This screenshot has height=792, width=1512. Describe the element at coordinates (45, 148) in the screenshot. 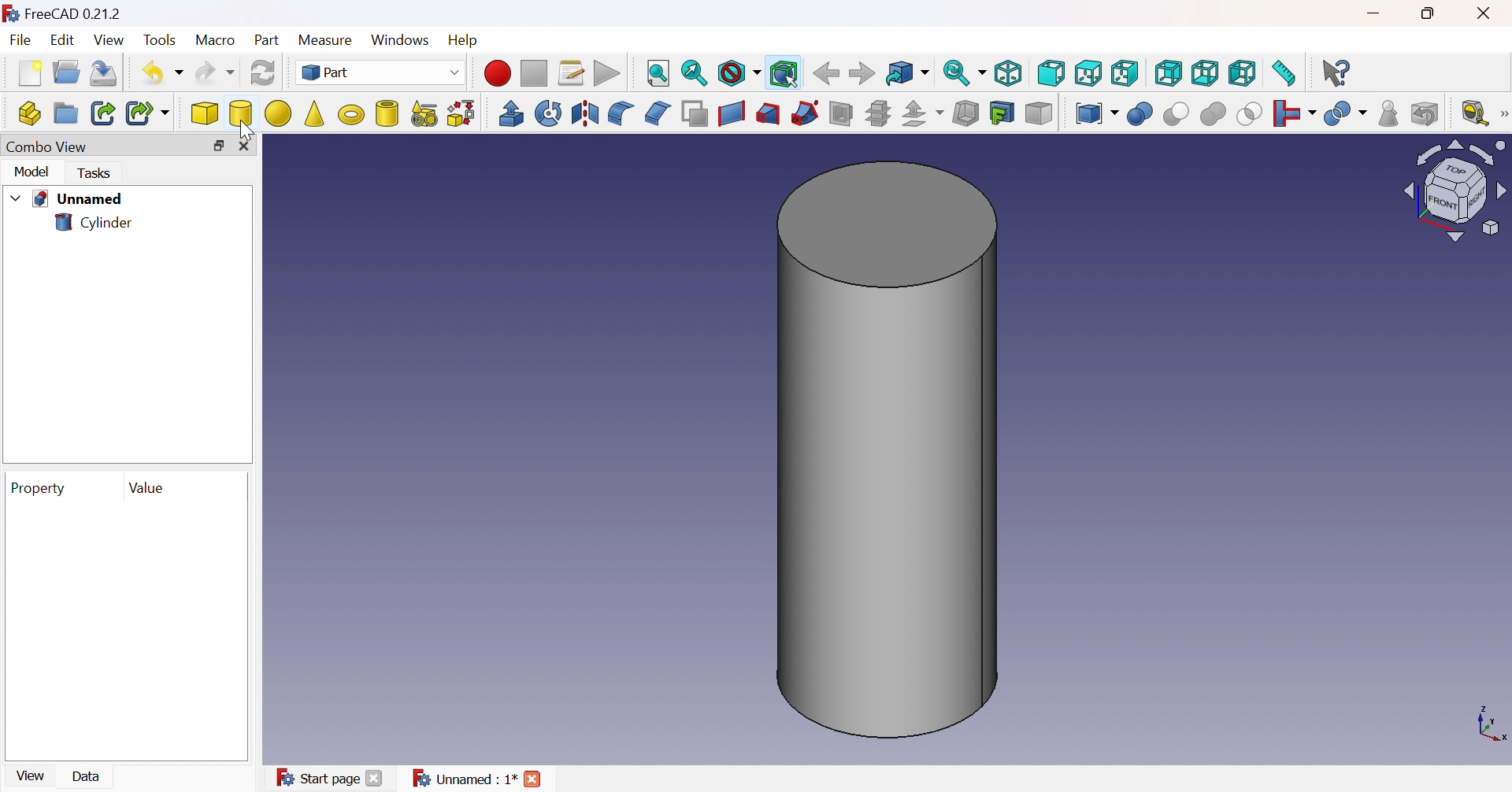

I see `Combo view` at that location.